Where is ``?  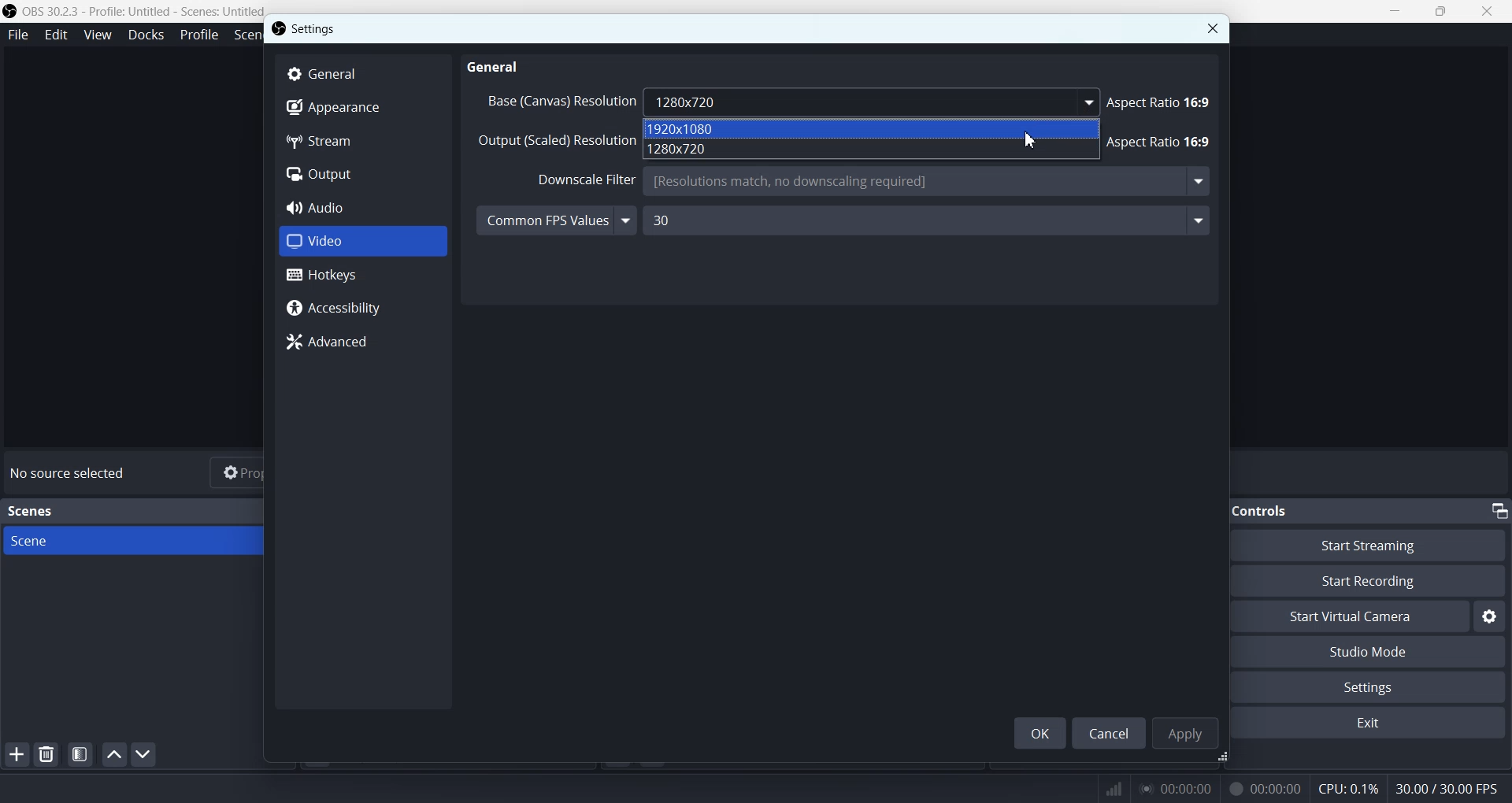
 is located at coordinates (554, 98).